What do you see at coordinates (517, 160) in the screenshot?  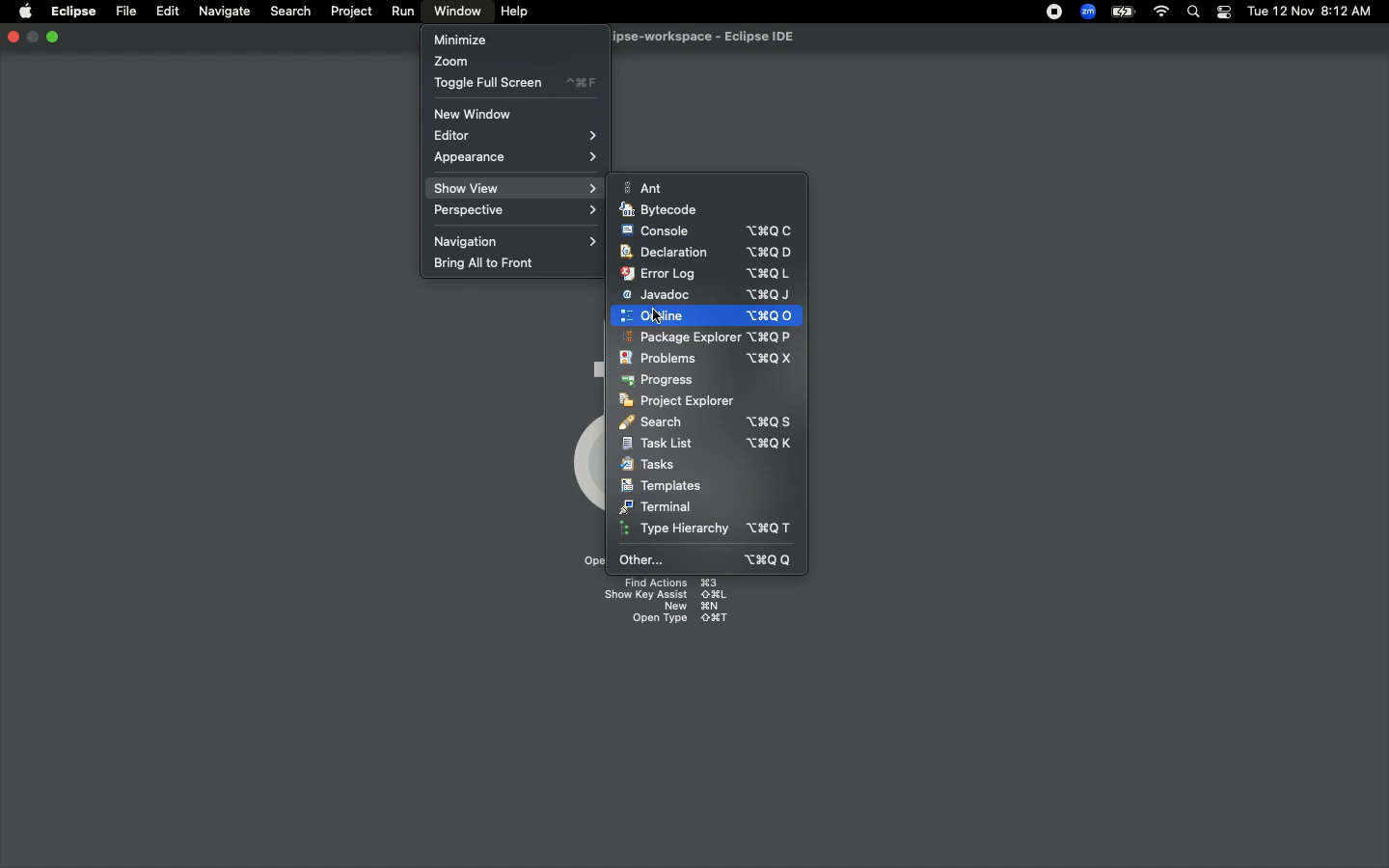 I see `Appearance` at bounding box center [517, 160].